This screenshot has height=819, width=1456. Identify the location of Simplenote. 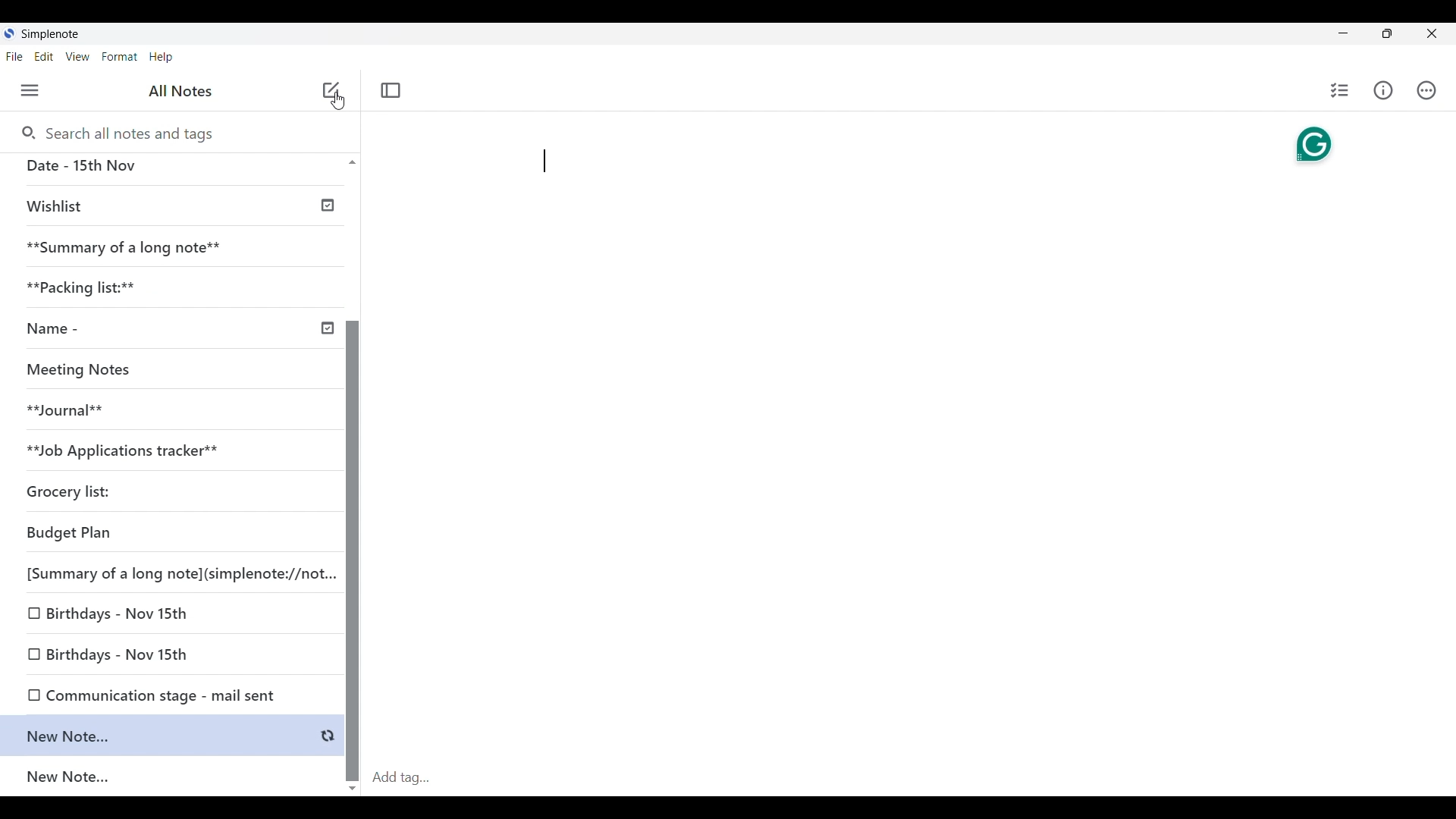
(49, 34).